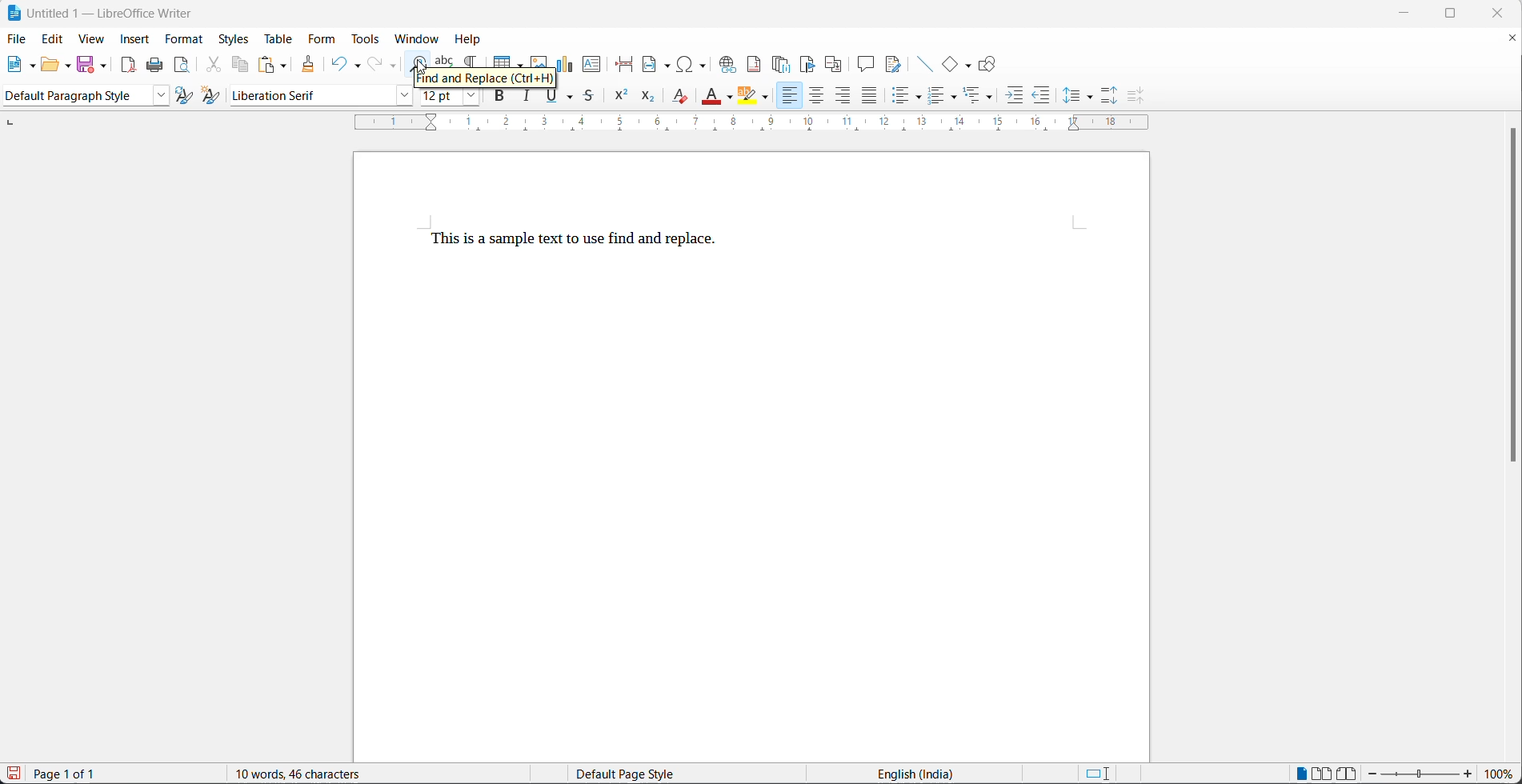 The width and height of the screenshot is (1522, 784). Describe the element at coordinates (356, 64) in the screenshot. I see `undo options` at that location.